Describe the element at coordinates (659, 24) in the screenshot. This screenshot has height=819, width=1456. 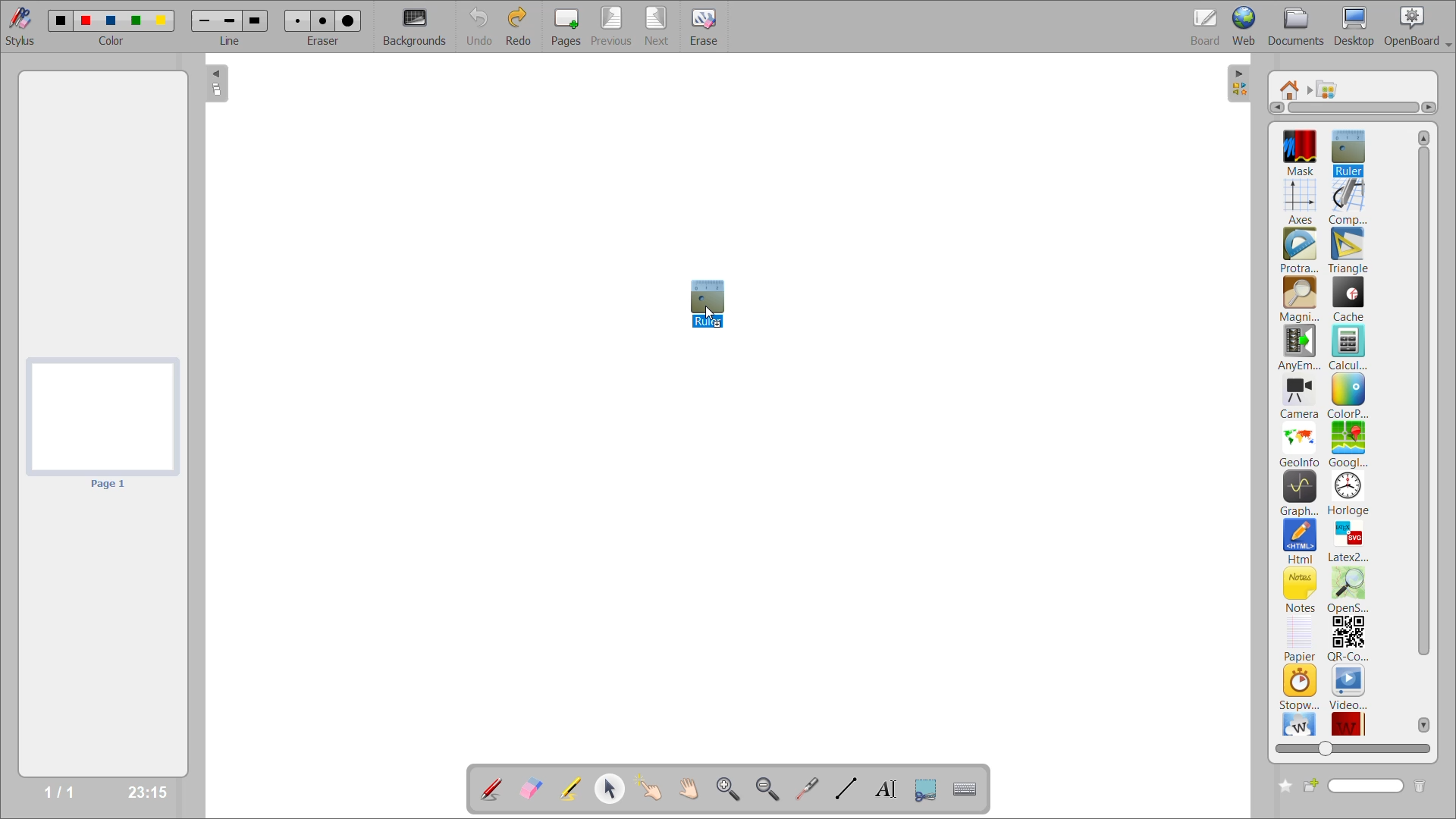
I see `next` at that location.